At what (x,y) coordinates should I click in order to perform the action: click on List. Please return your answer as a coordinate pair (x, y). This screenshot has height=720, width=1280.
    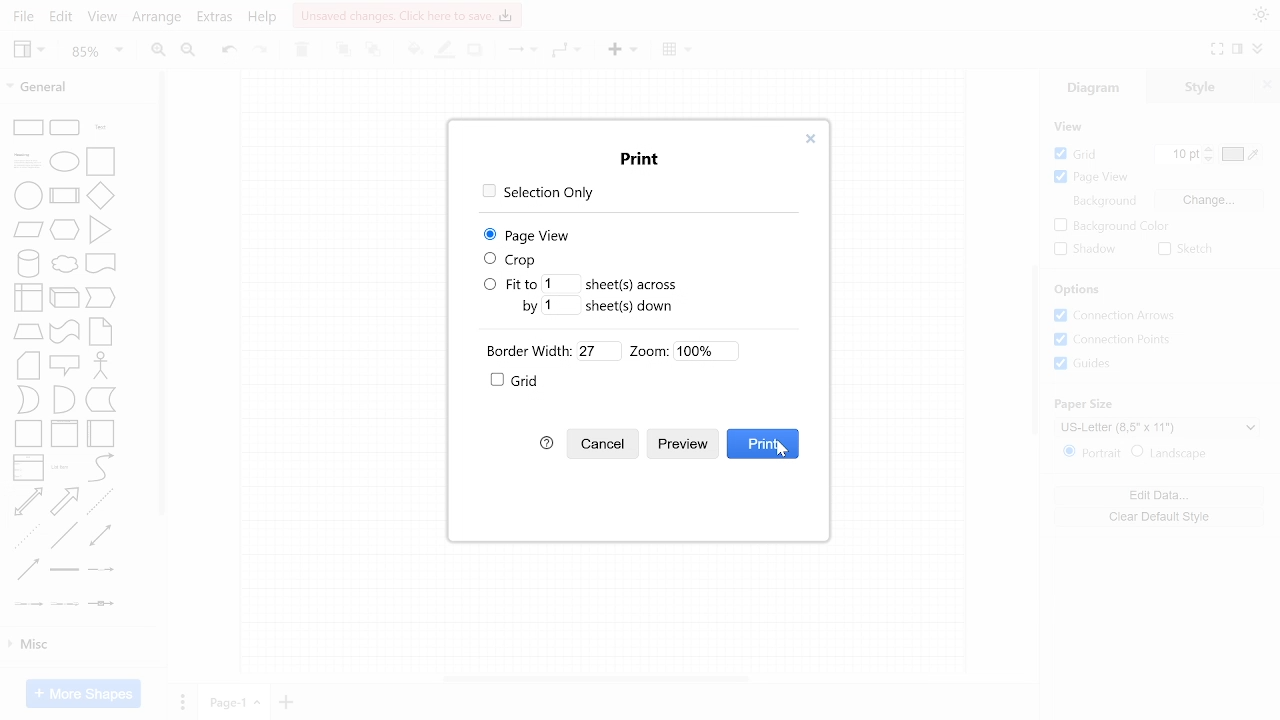
    Looking at the image, I should click on (29, 468).